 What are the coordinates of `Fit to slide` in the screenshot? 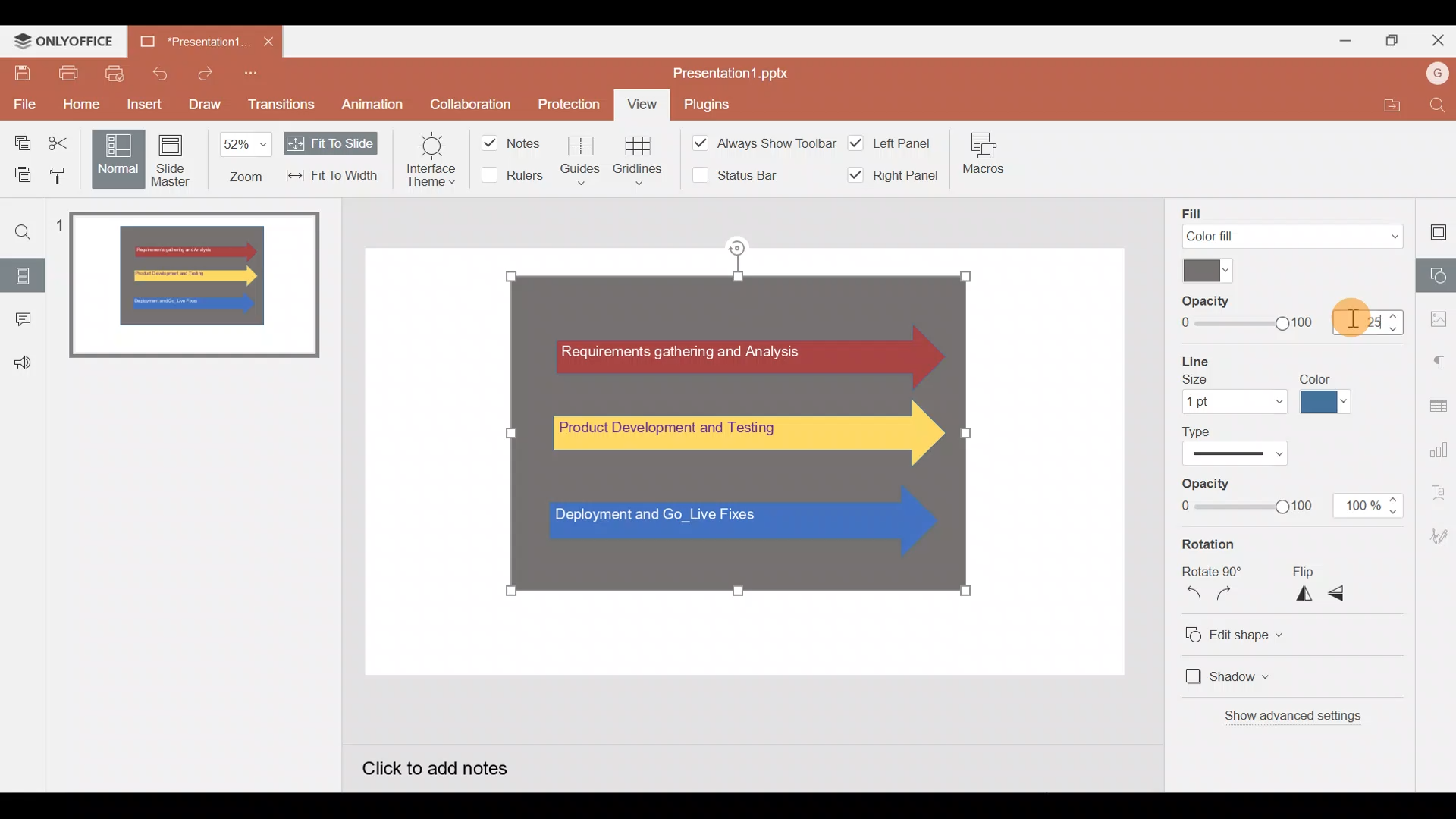 It's located at (331, 142).